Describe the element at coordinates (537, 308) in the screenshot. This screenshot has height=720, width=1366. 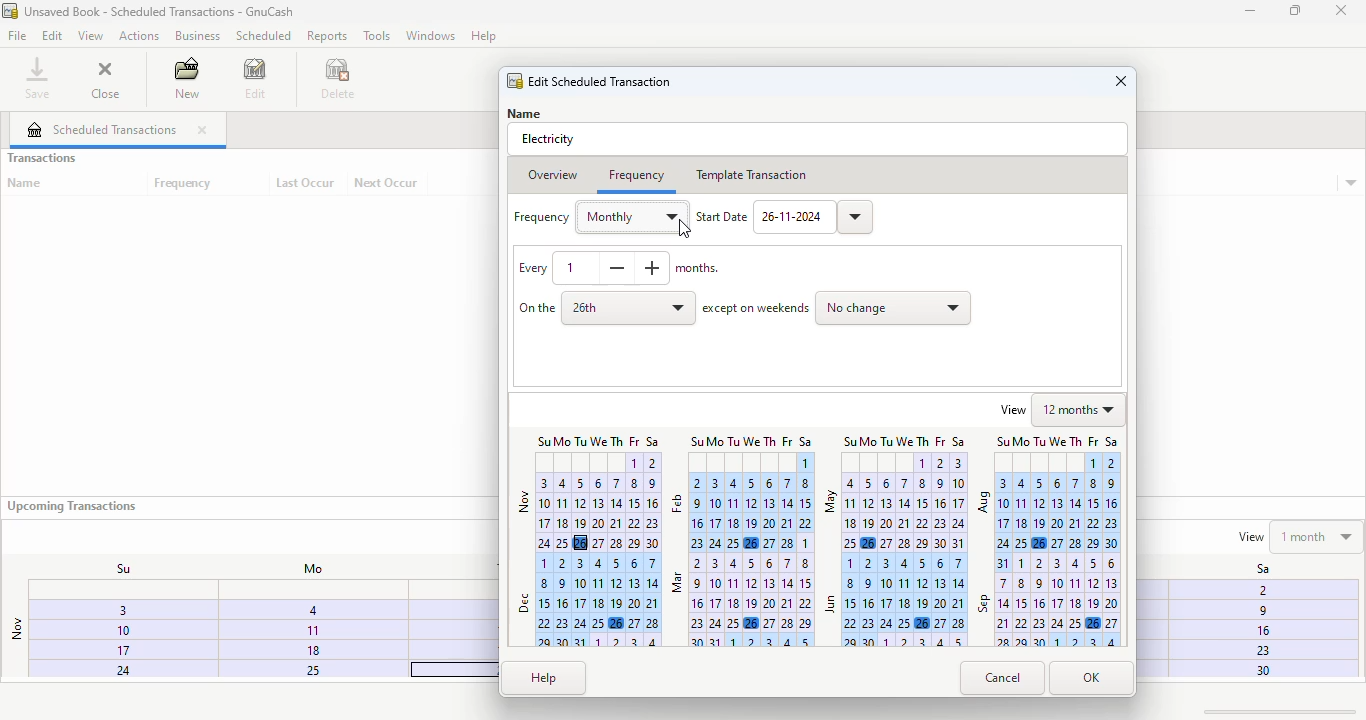
I see `on the` at that location.